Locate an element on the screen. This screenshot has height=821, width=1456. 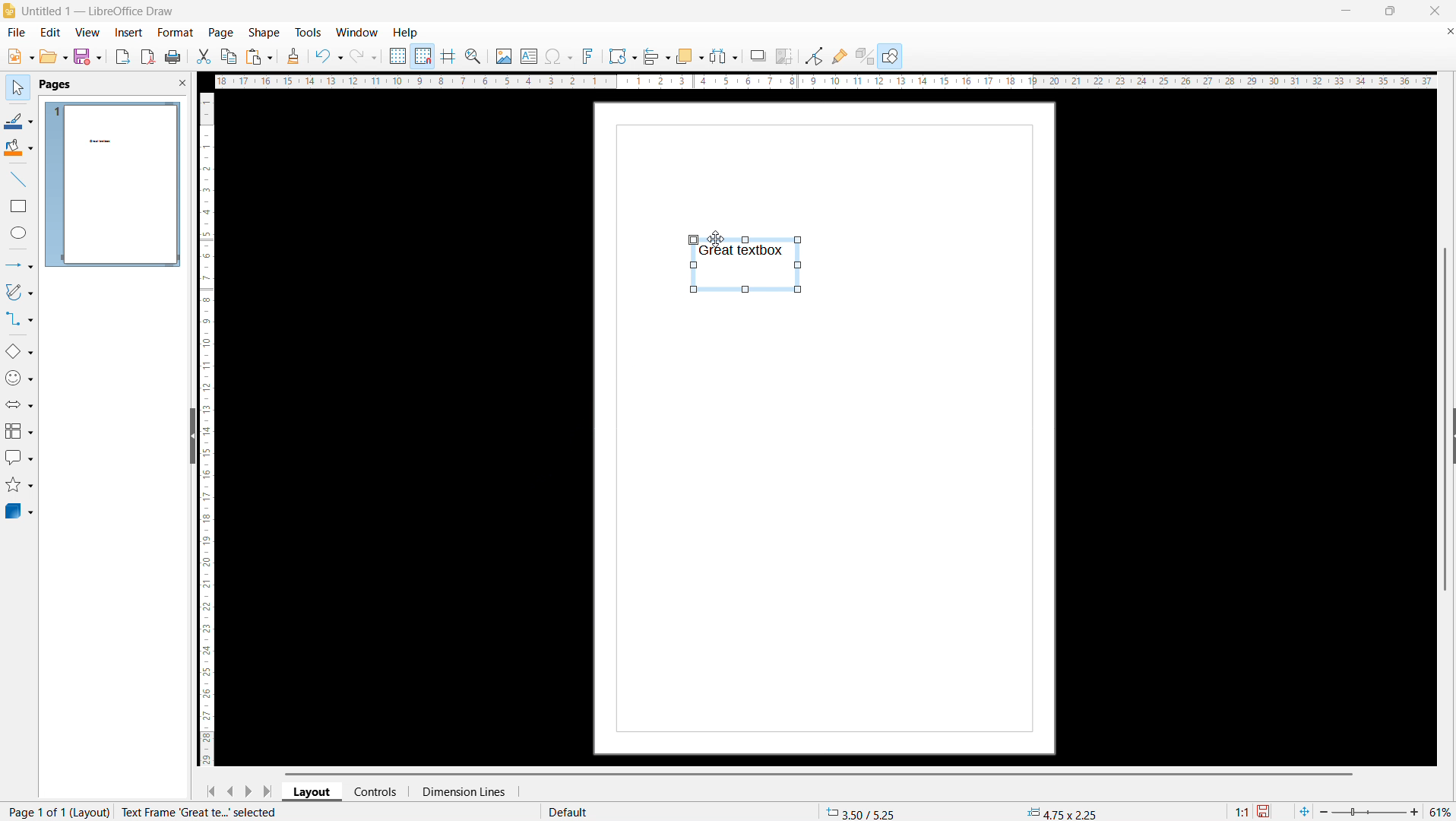
horizontal ruler is located at coordinates (825, 83).